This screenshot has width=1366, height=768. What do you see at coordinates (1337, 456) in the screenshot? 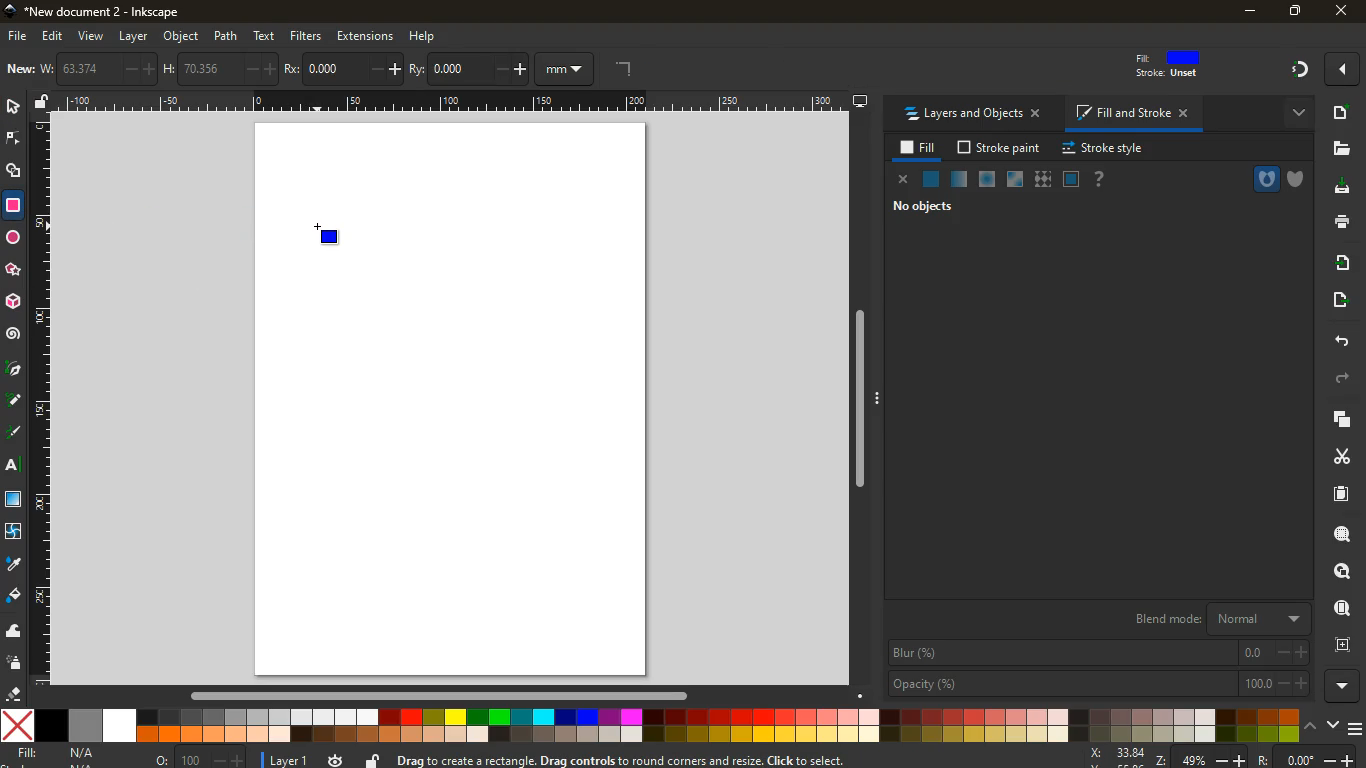
I see `cut` at bounding box center [1337, 456].